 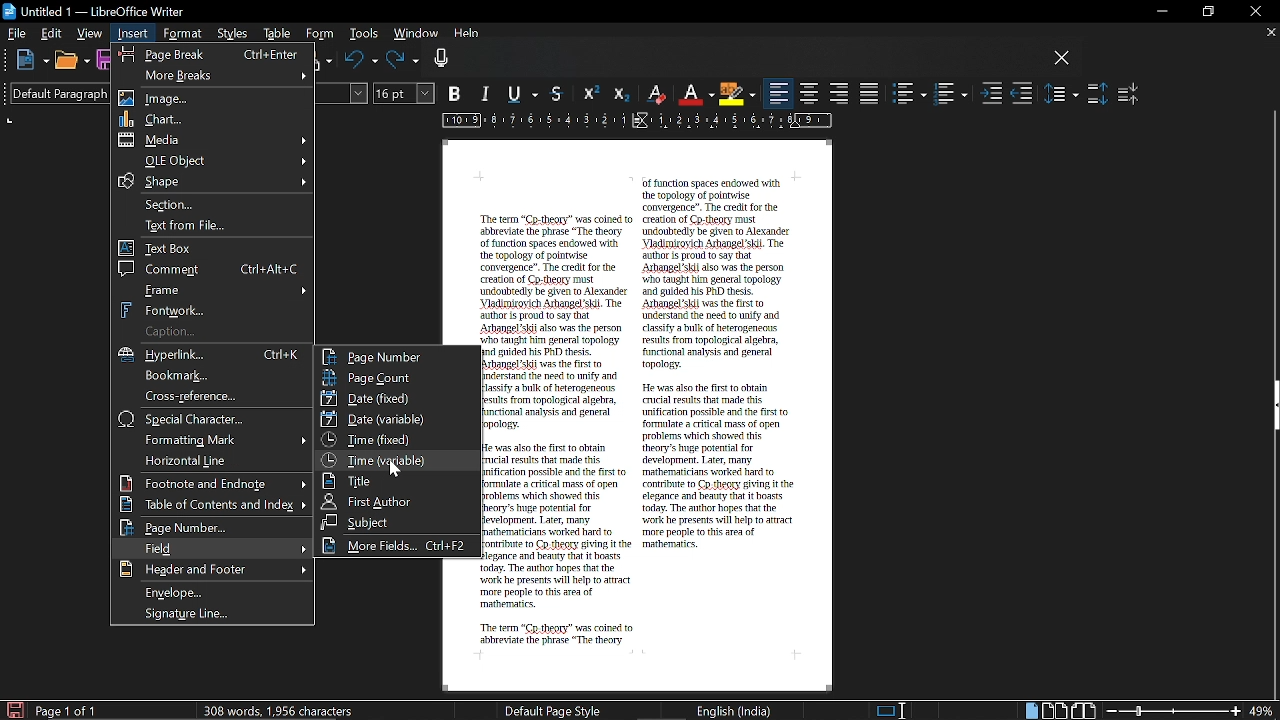 I want to click on Italic, so click(x=487, y=95).